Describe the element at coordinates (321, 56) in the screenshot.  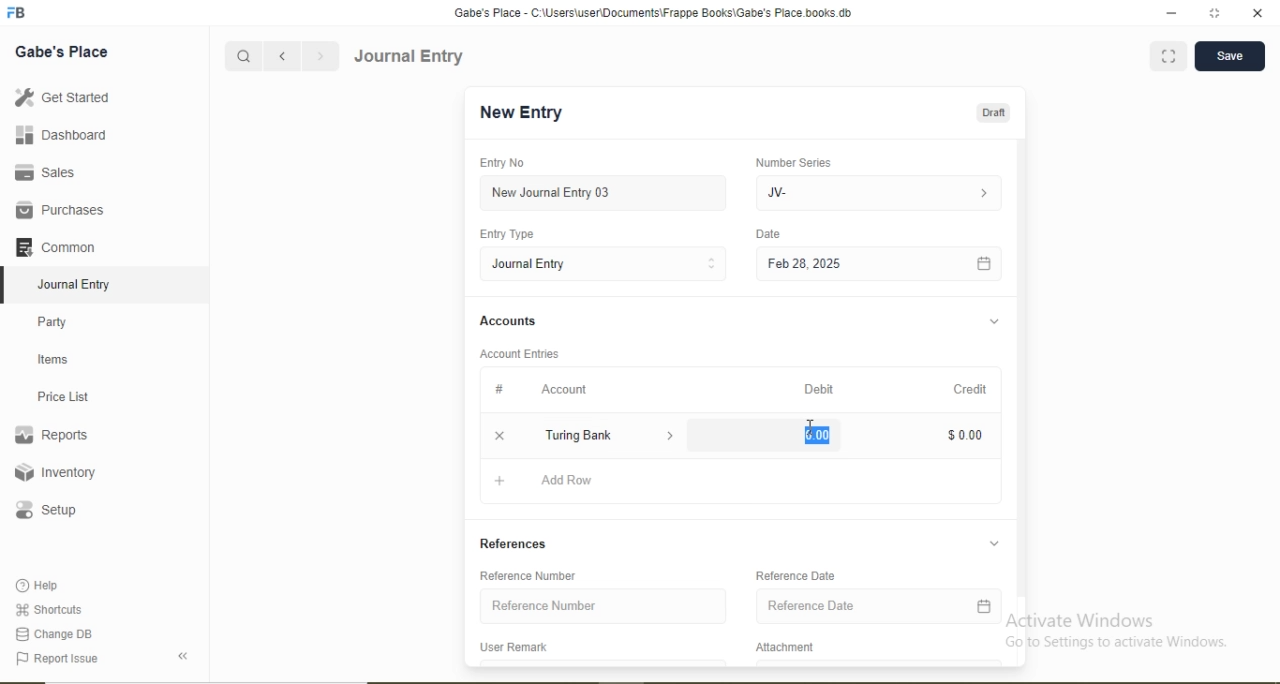
I see `Forward` at that location.